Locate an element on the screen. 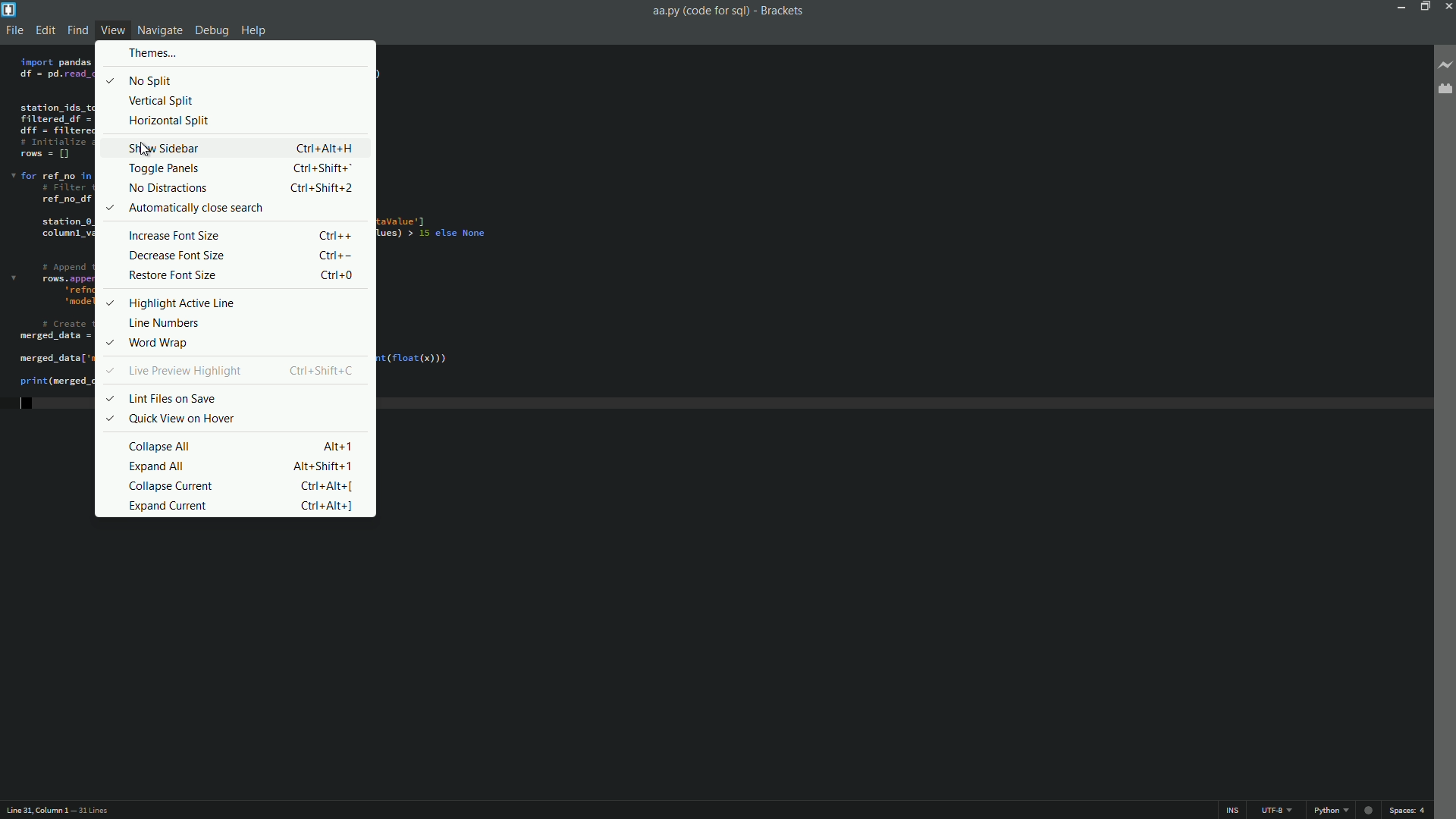 This screenshot has height=819, width=1456. Horizontal split is located at coordinates (169, 121).